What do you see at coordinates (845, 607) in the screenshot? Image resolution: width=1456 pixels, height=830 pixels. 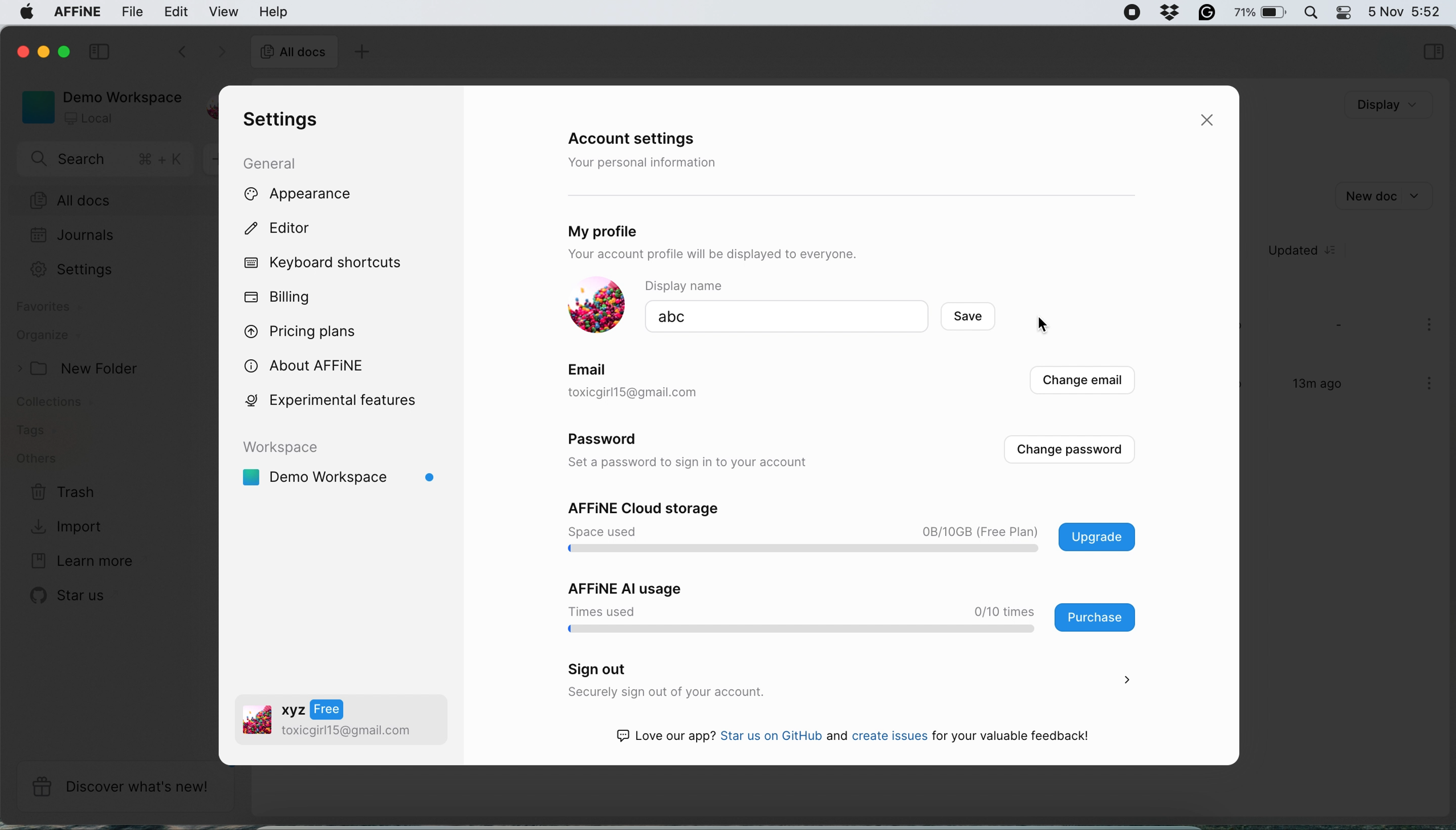 I see `affine ai usage` at bounding box center [845, 607].